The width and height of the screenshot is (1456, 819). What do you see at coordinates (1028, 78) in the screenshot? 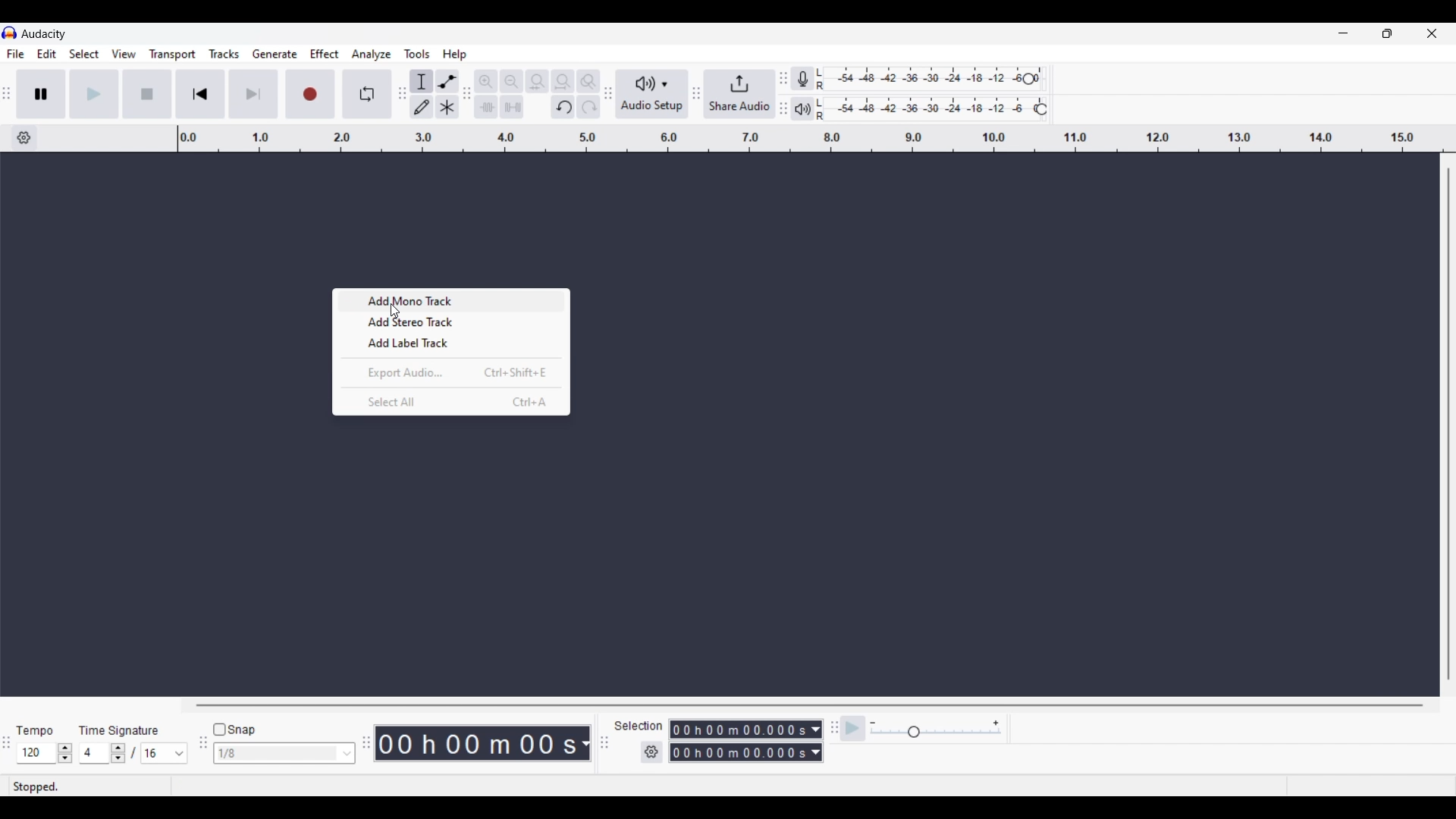
I see `Change recording level` at bounding box center [1028, 78].